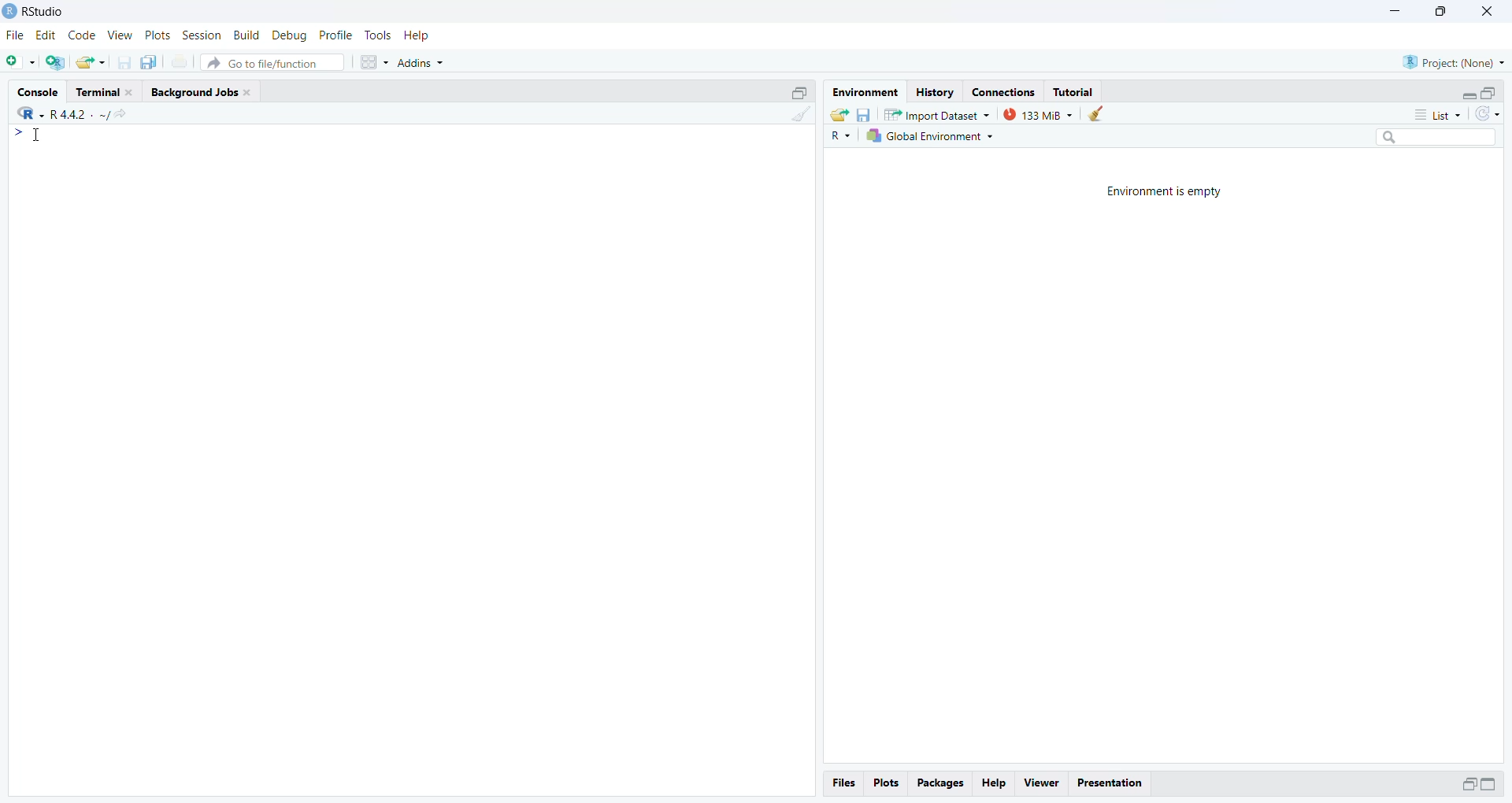 Image resolution: width=1512 pixels, height=803 pixels. Describe the element at coordinates (1488, 785) in the screenshot. I see `Maximize` at that location.